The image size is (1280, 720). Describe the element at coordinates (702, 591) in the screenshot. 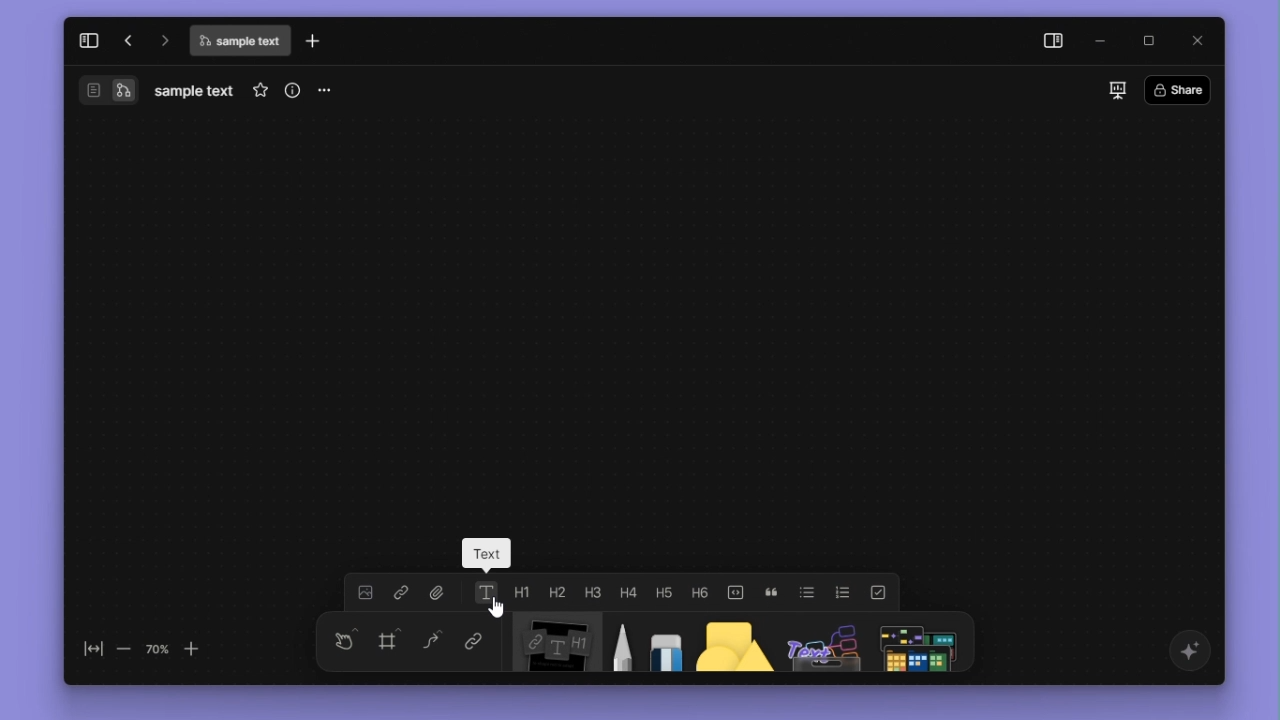

I see `heading 6` at that location.